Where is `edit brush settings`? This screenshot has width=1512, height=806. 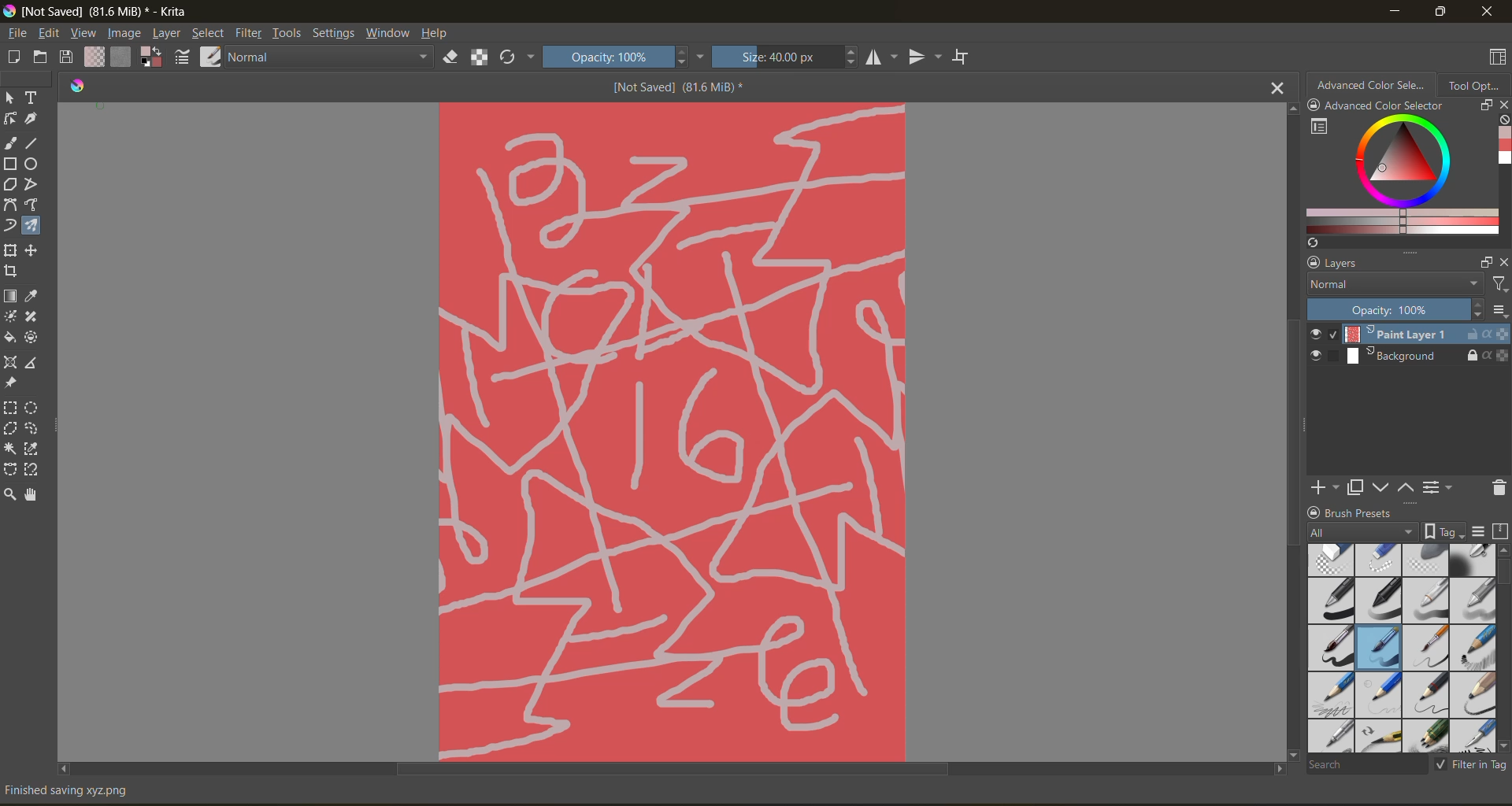 edit brush settings is located at coordinates (182, 58).